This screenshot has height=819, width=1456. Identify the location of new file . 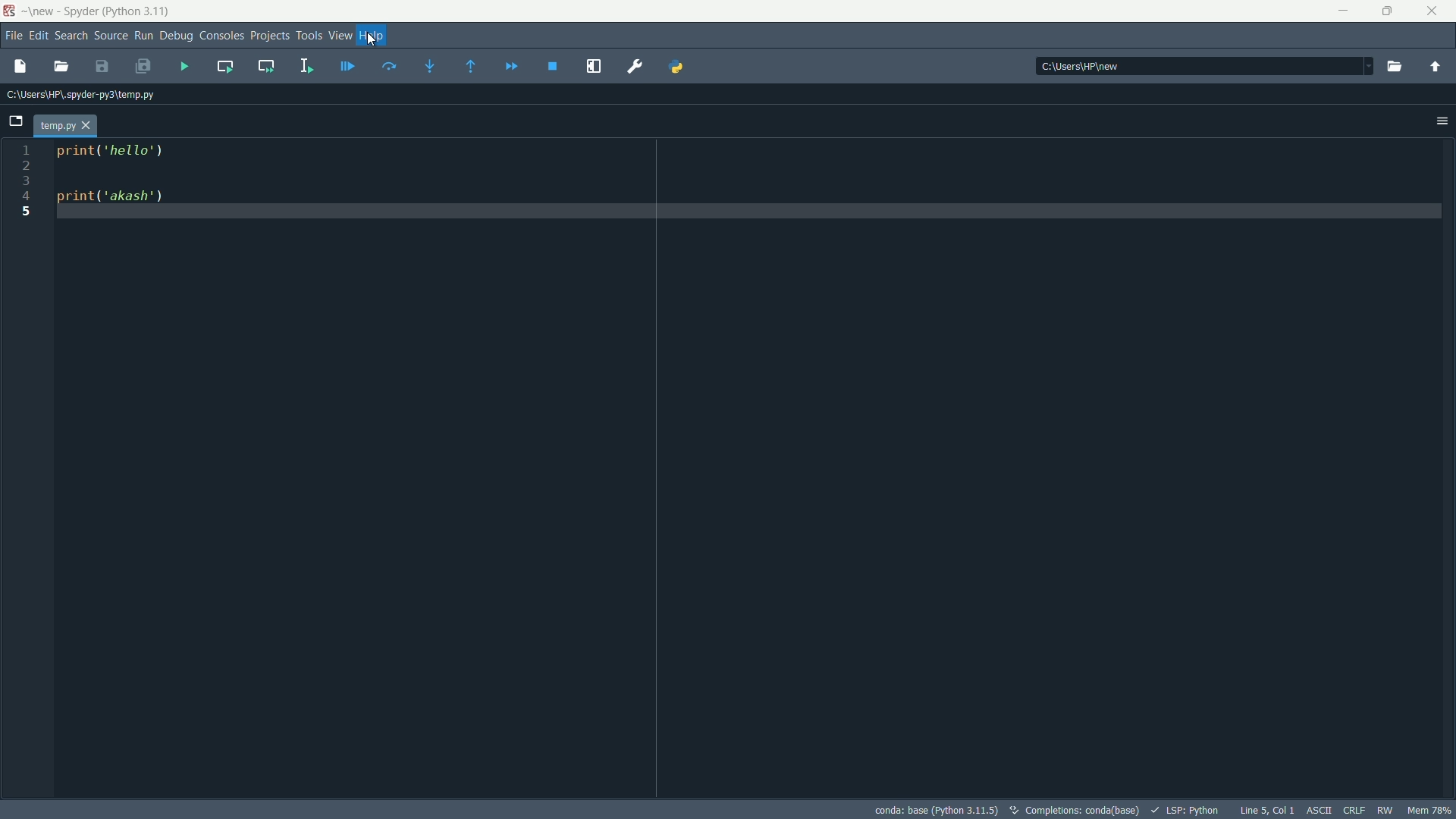
(20, 65).